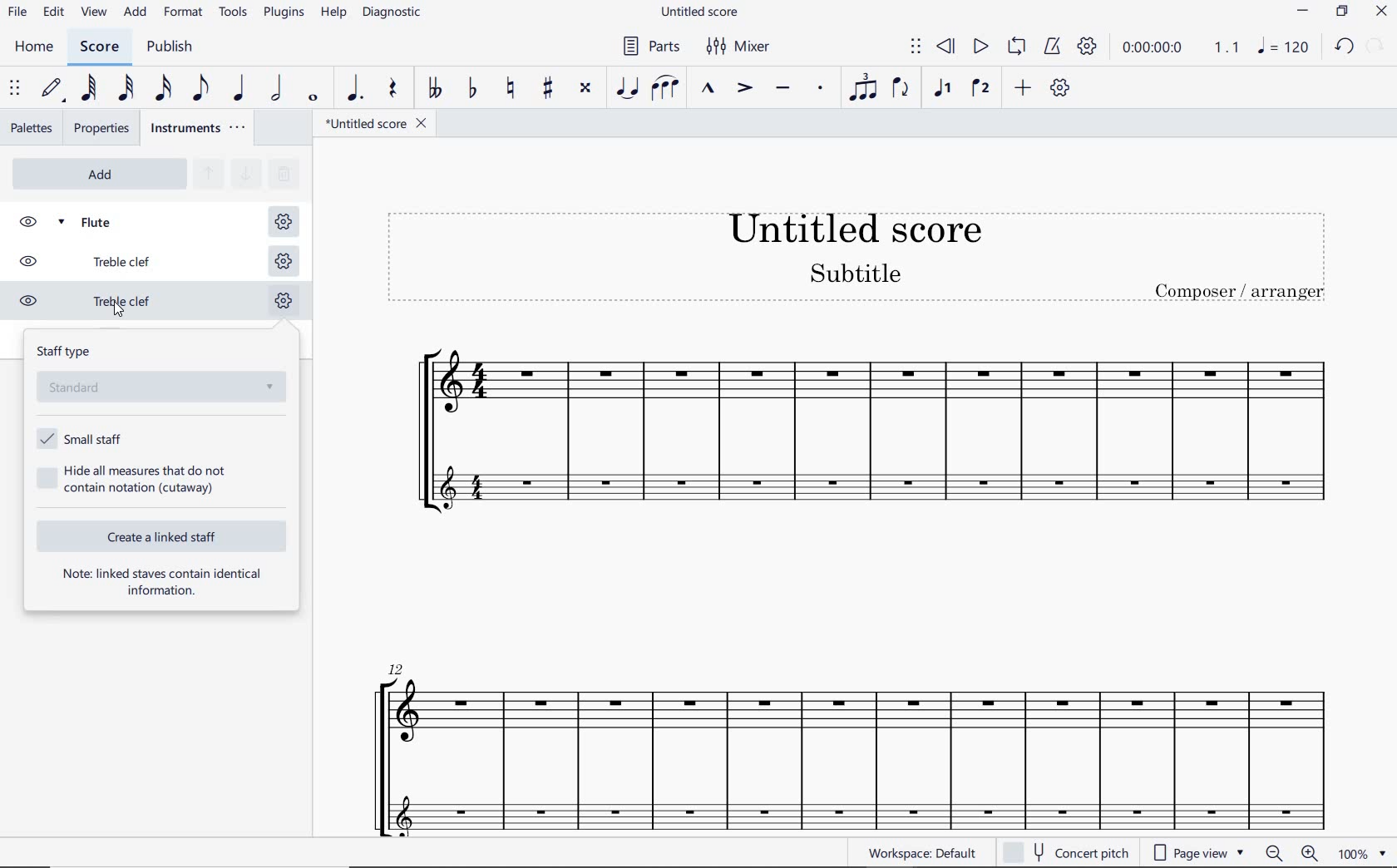 This screenshot has height=868, width=1397. What do you see at coordinates (545, 87) in the screenshot?
I see `TOGGLE SHARP` at bounding box center [545, 87].